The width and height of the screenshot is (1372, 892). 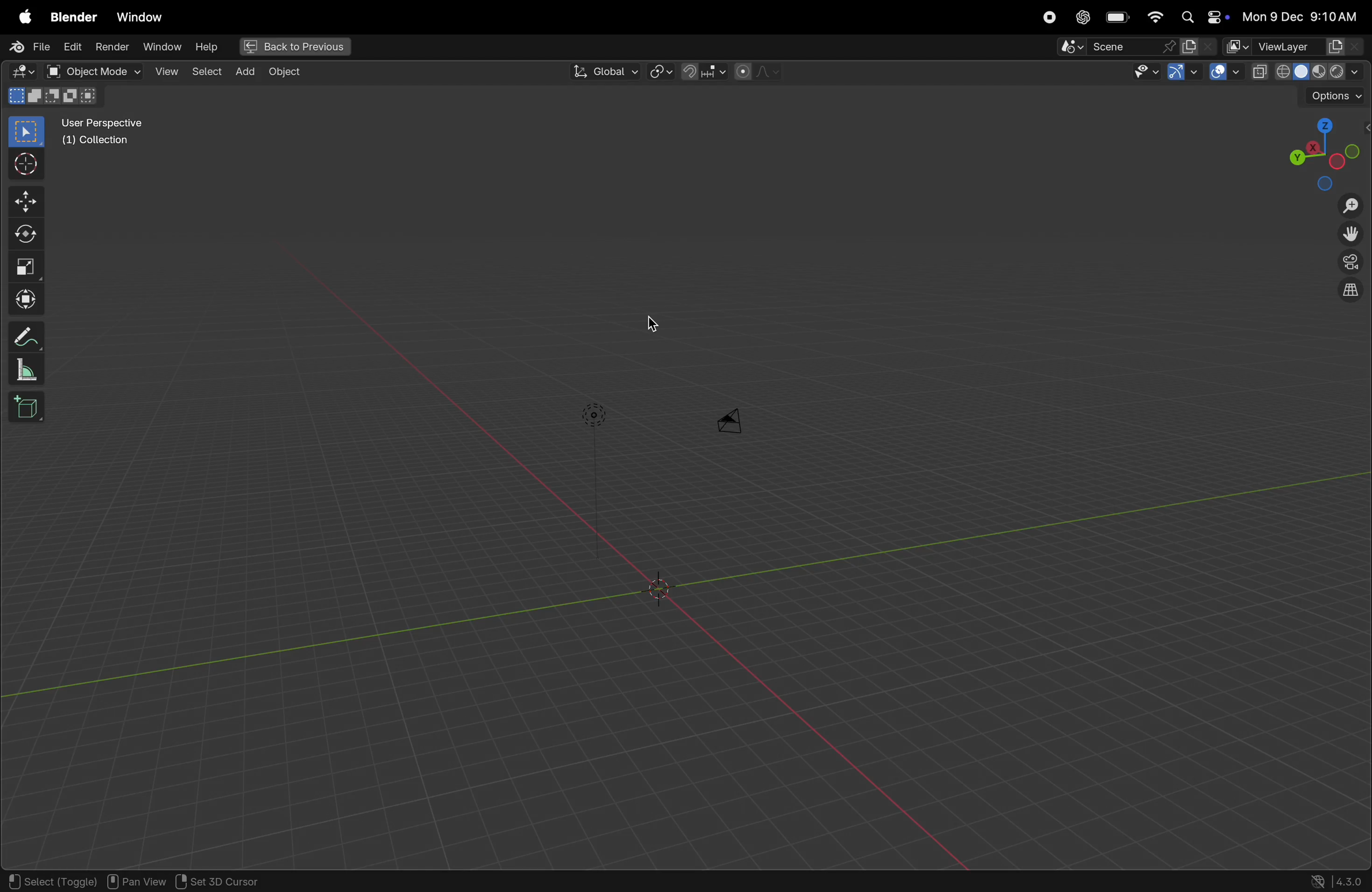 I want to click on snap, so click(x=702, y=71).